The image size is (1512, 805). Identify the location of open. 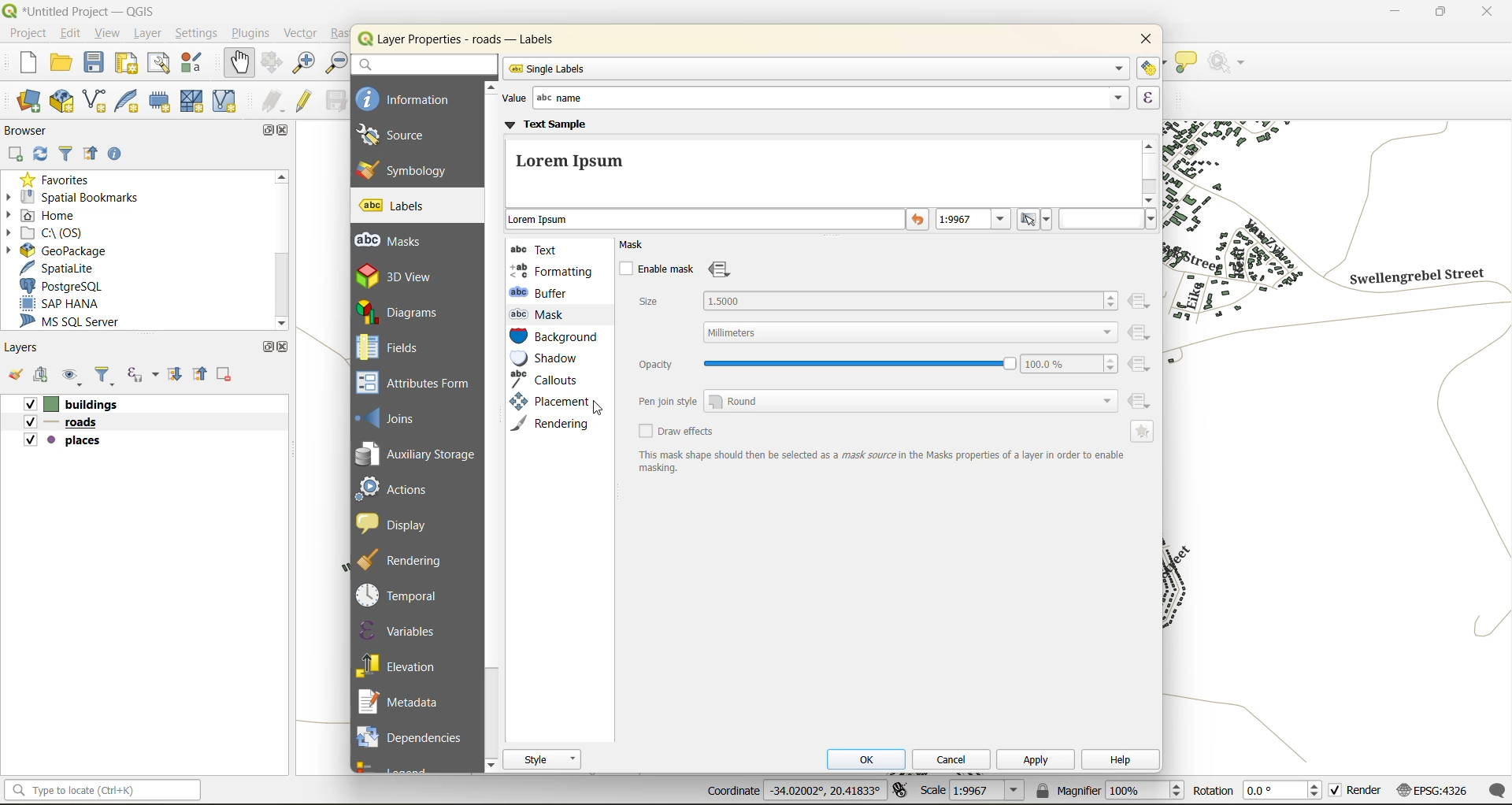
(13, 373).